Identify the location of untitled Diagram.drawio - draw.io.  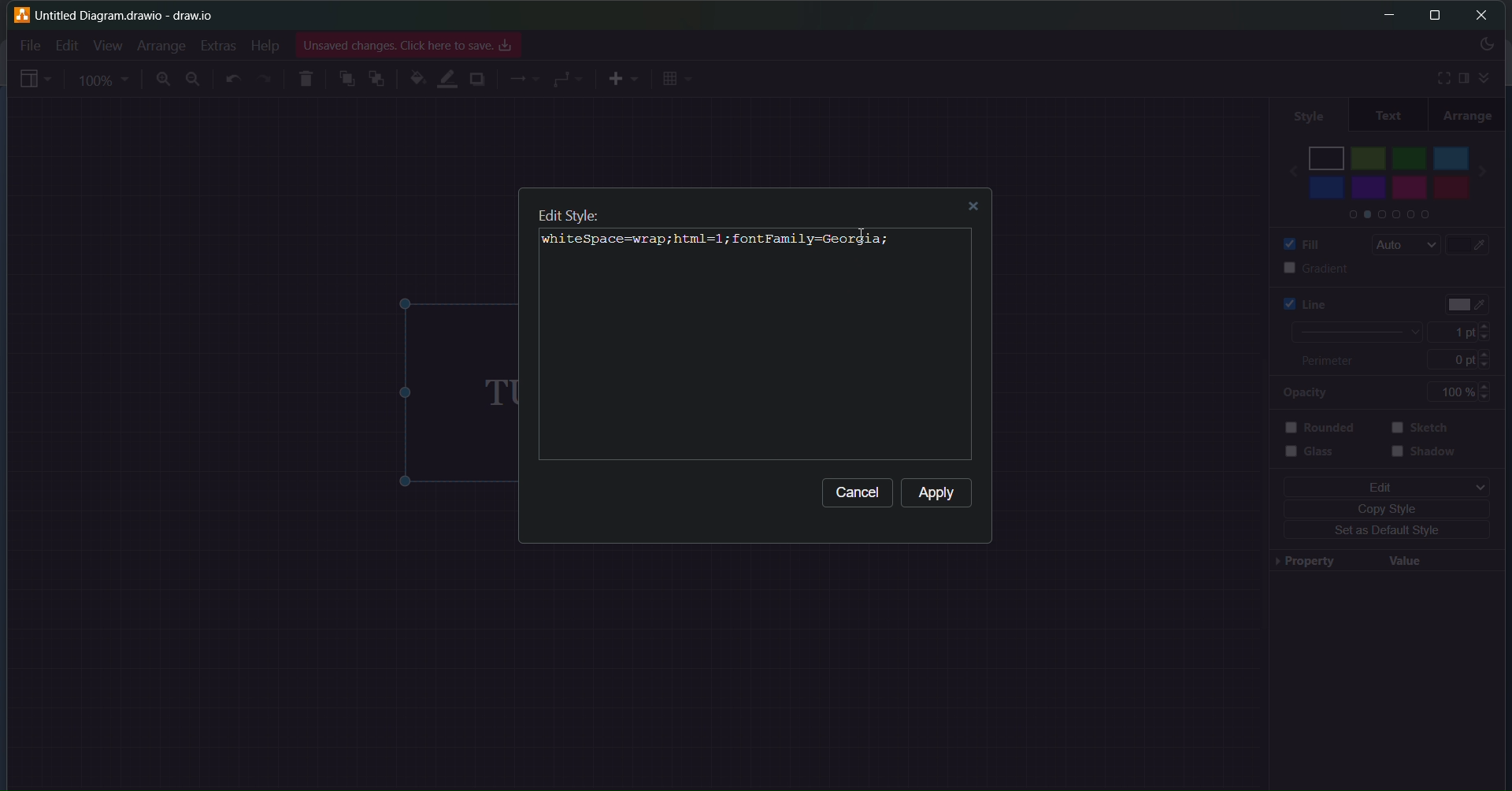
(135, 13).